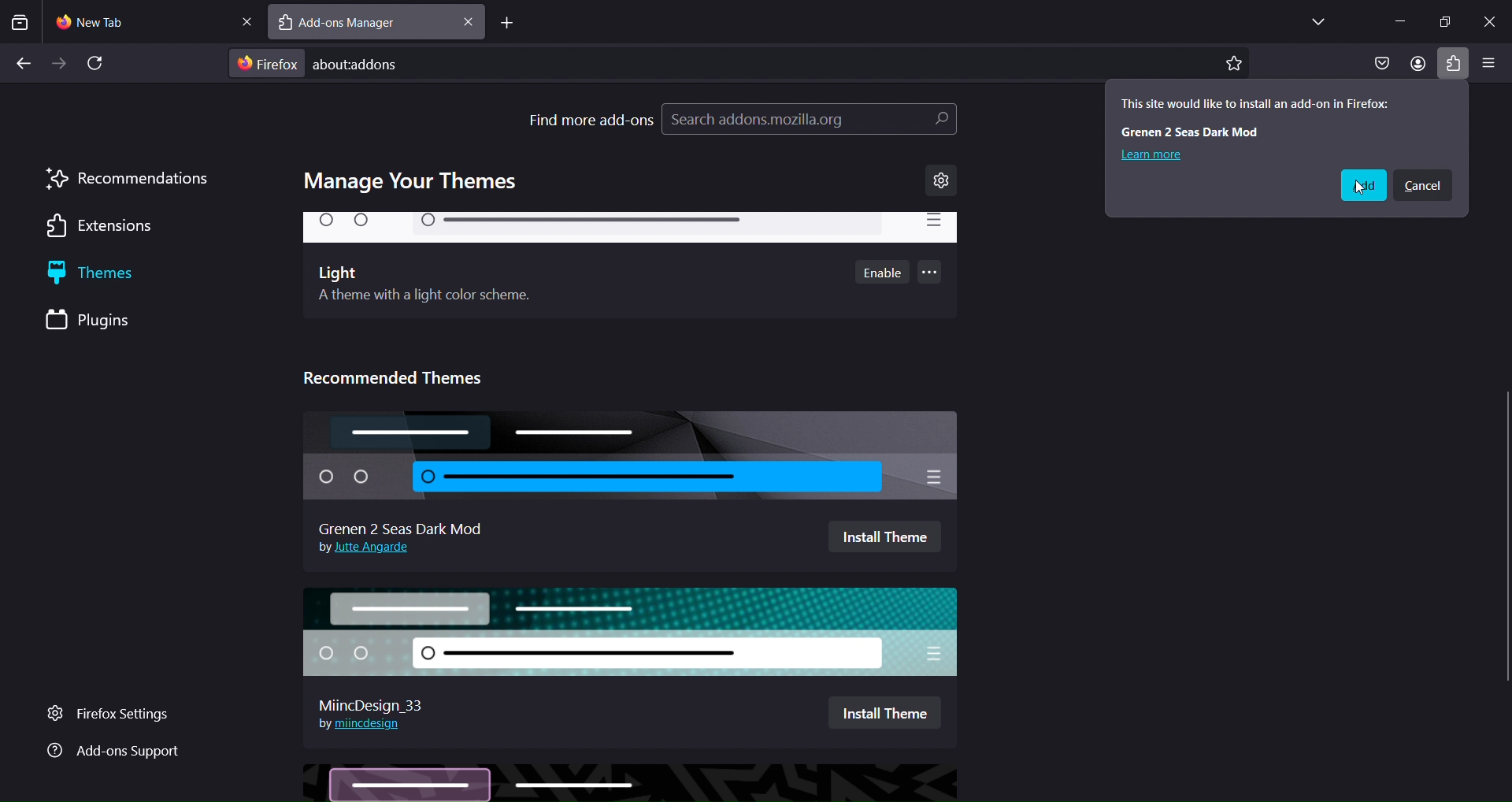 The height and width of the screenshot is (802, 1512). I want to click on by lutte angrade, so click(369, 549).